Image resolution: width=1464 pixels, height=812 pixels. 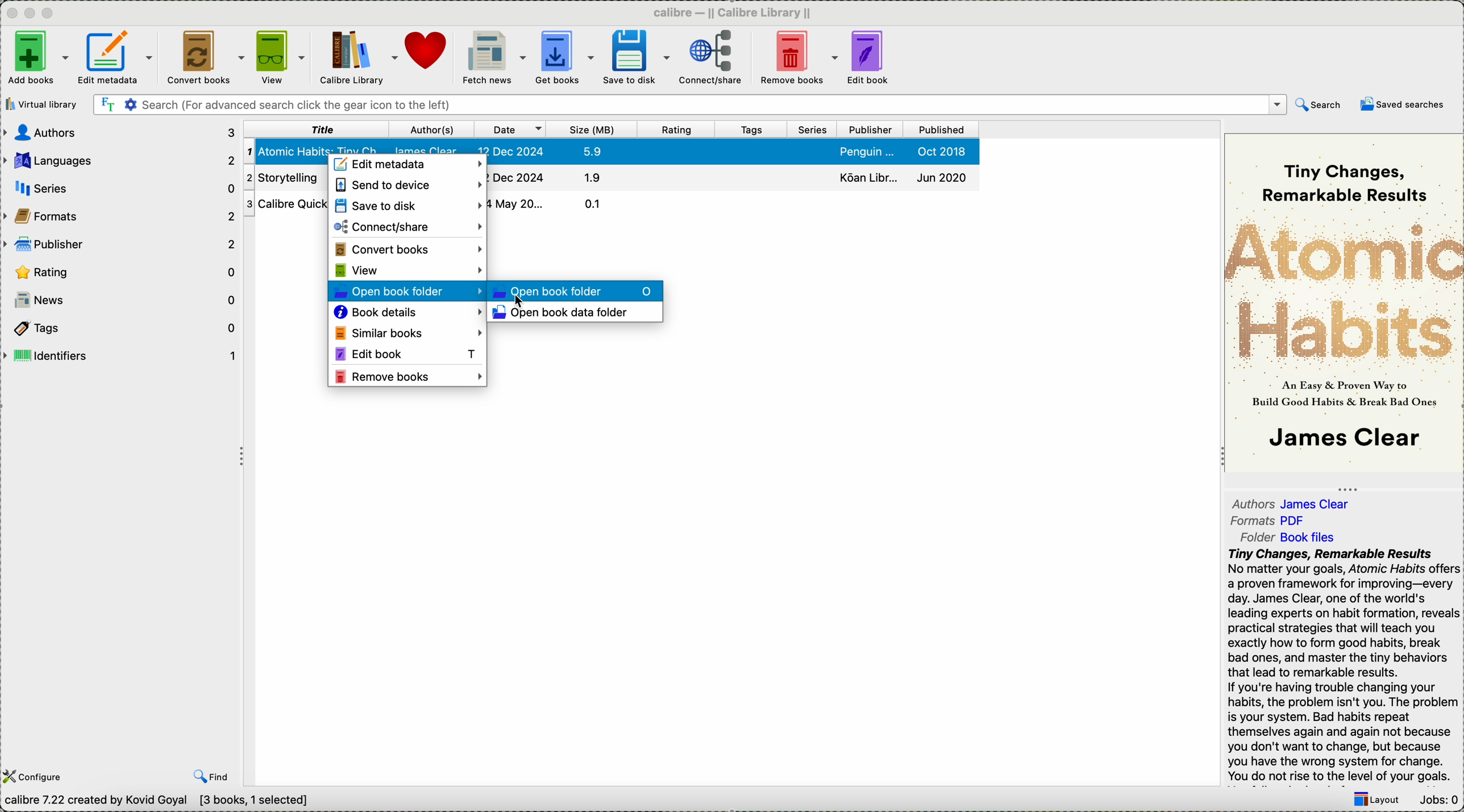 I want to click on remove books, so click(x=798, y=59).